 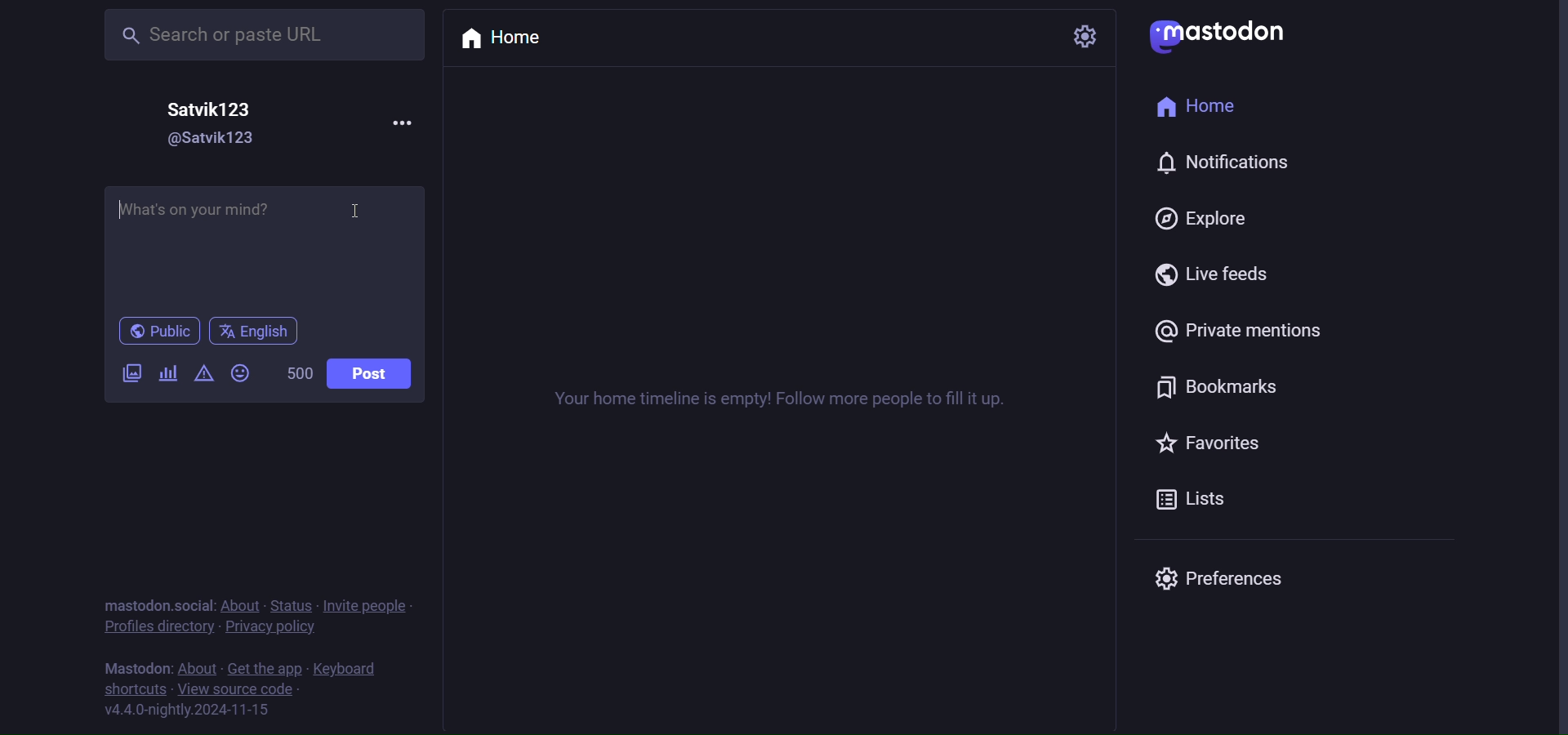 What do you see at coordinates (241, 373) in the screenshot?
I see `emoji` at bounding box center [241, 373].